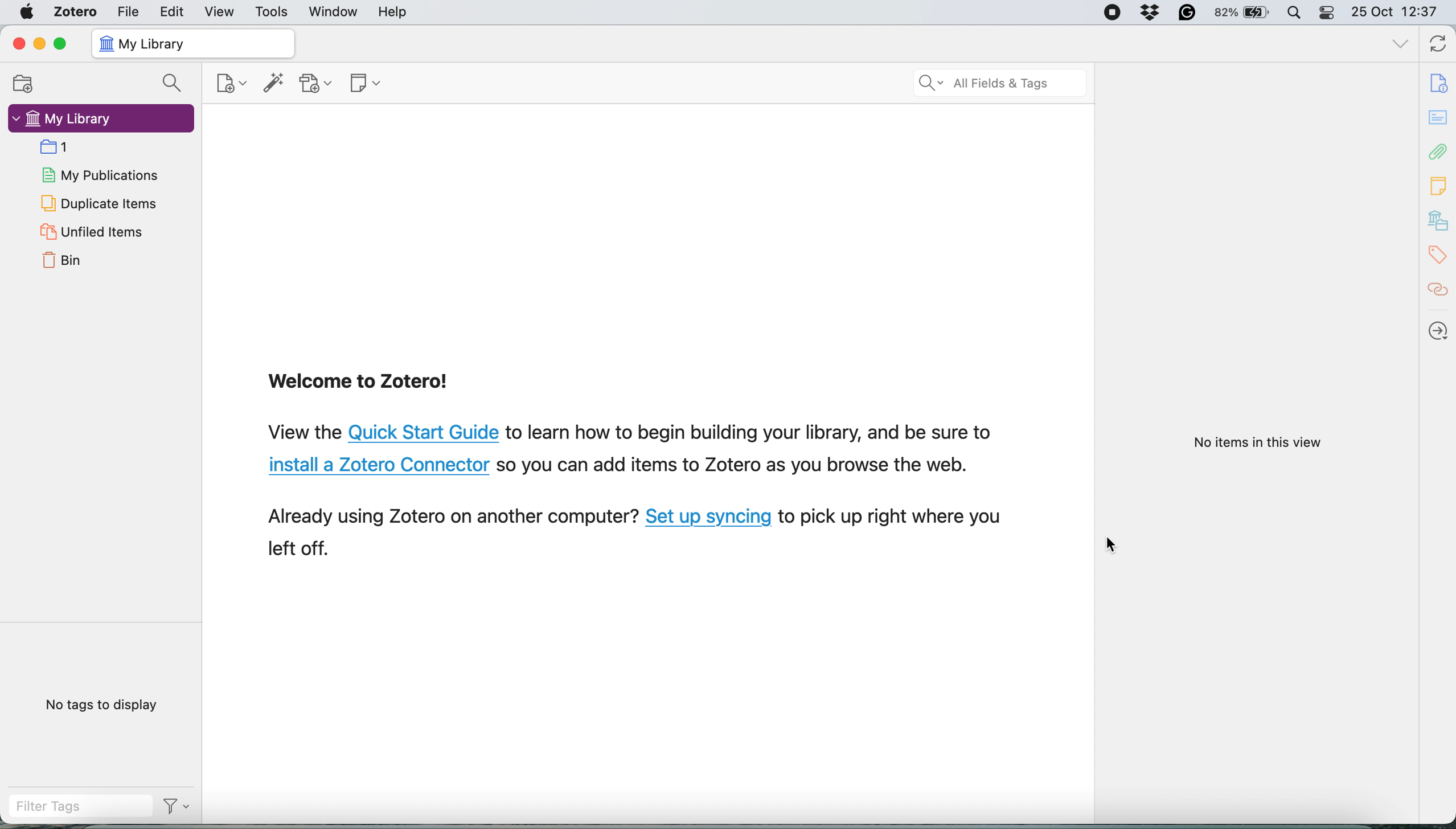 The image size is (1456, 829). What do you see at coordinates (100, 203) in the screenshot?
I see `duplicate items` at bounding box center [100, 203].